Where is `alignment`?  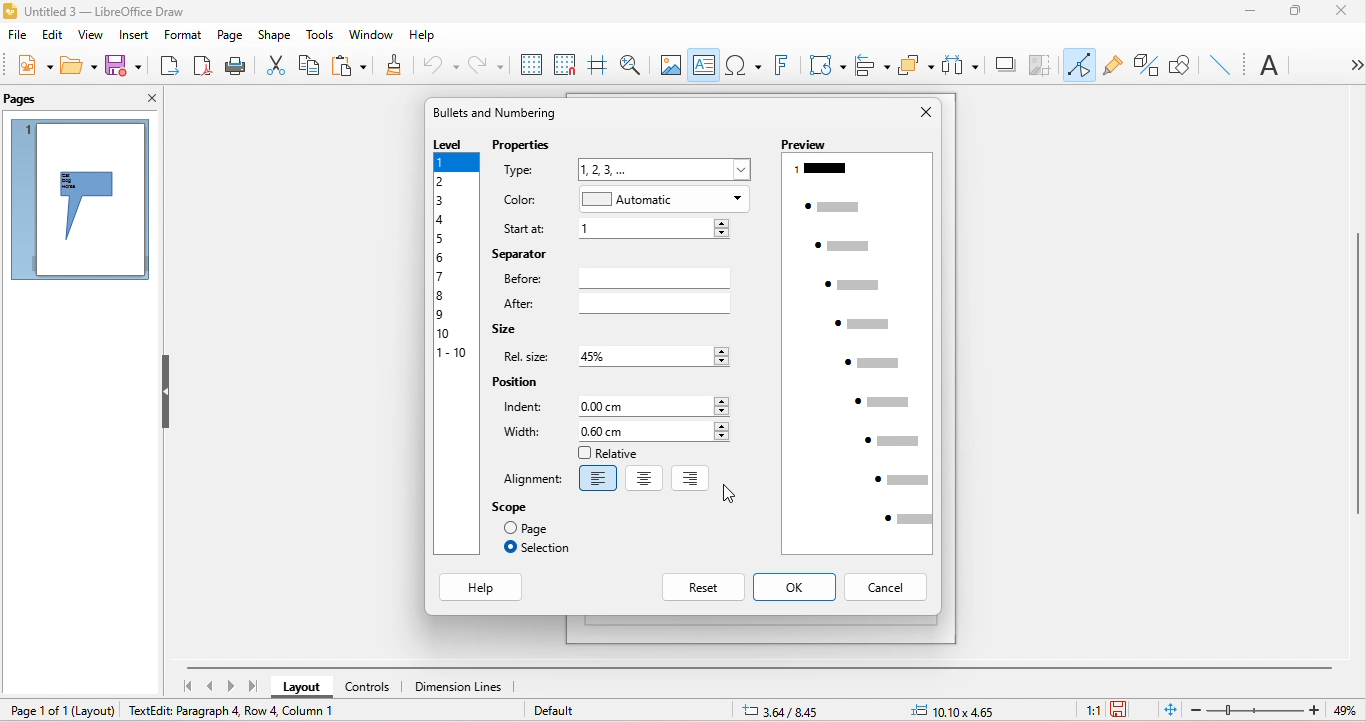
alignment is located at coordinates (533, 479).